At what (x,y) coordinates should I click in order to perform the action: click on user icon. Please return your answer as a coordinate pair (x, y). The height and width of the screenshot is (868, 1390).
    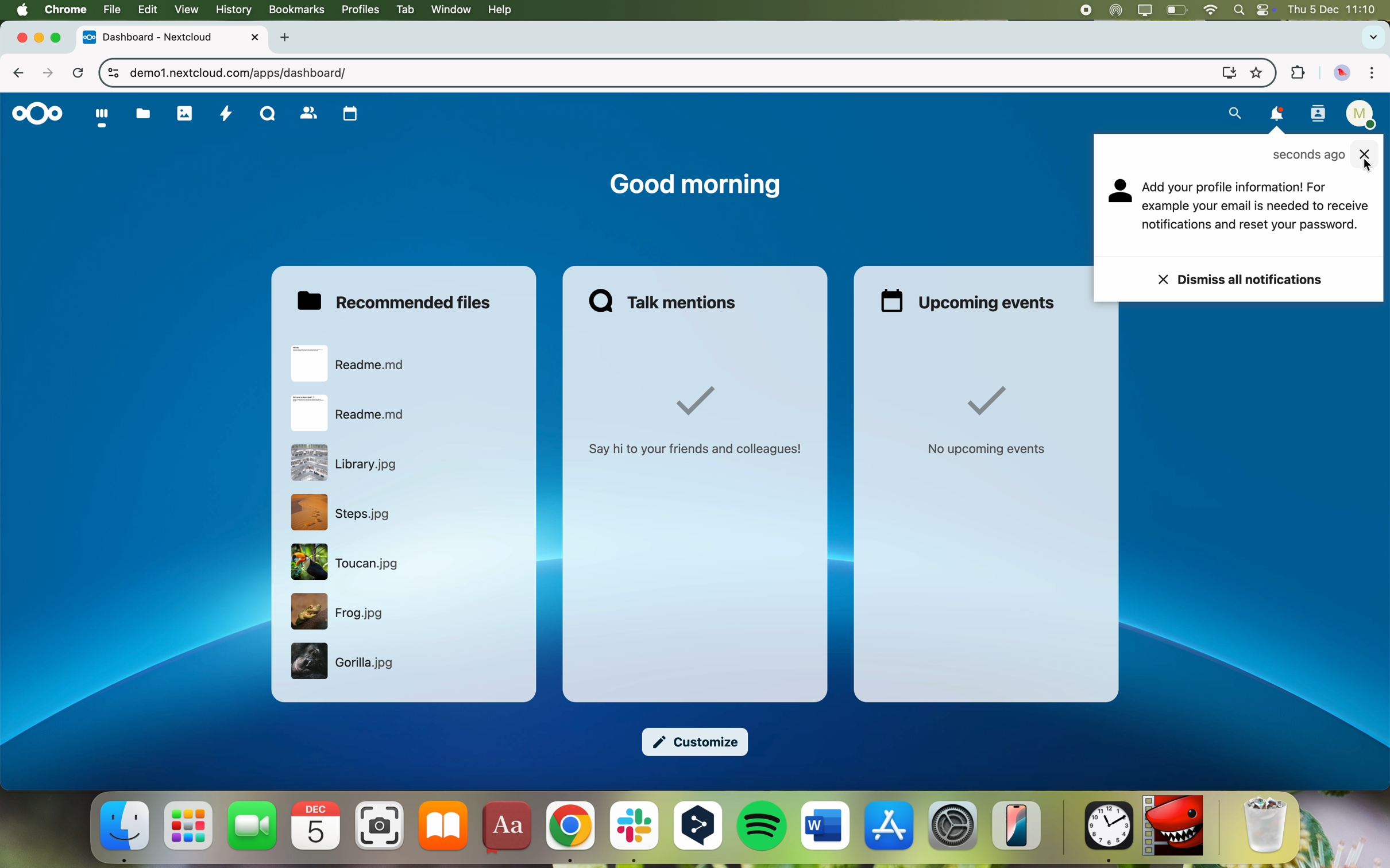
    Looking at the image, I should click on (1121, 192).